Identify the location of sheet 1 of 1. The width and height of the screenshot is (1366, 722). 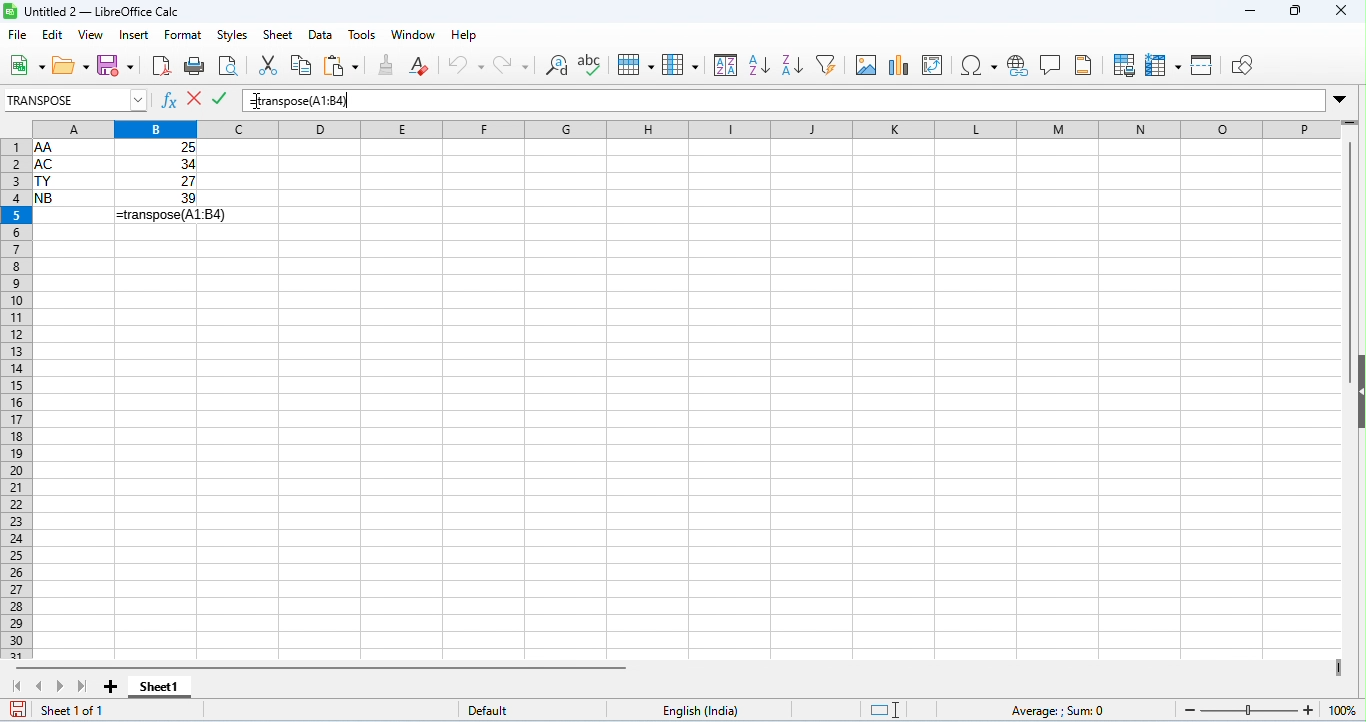
(76, 710).